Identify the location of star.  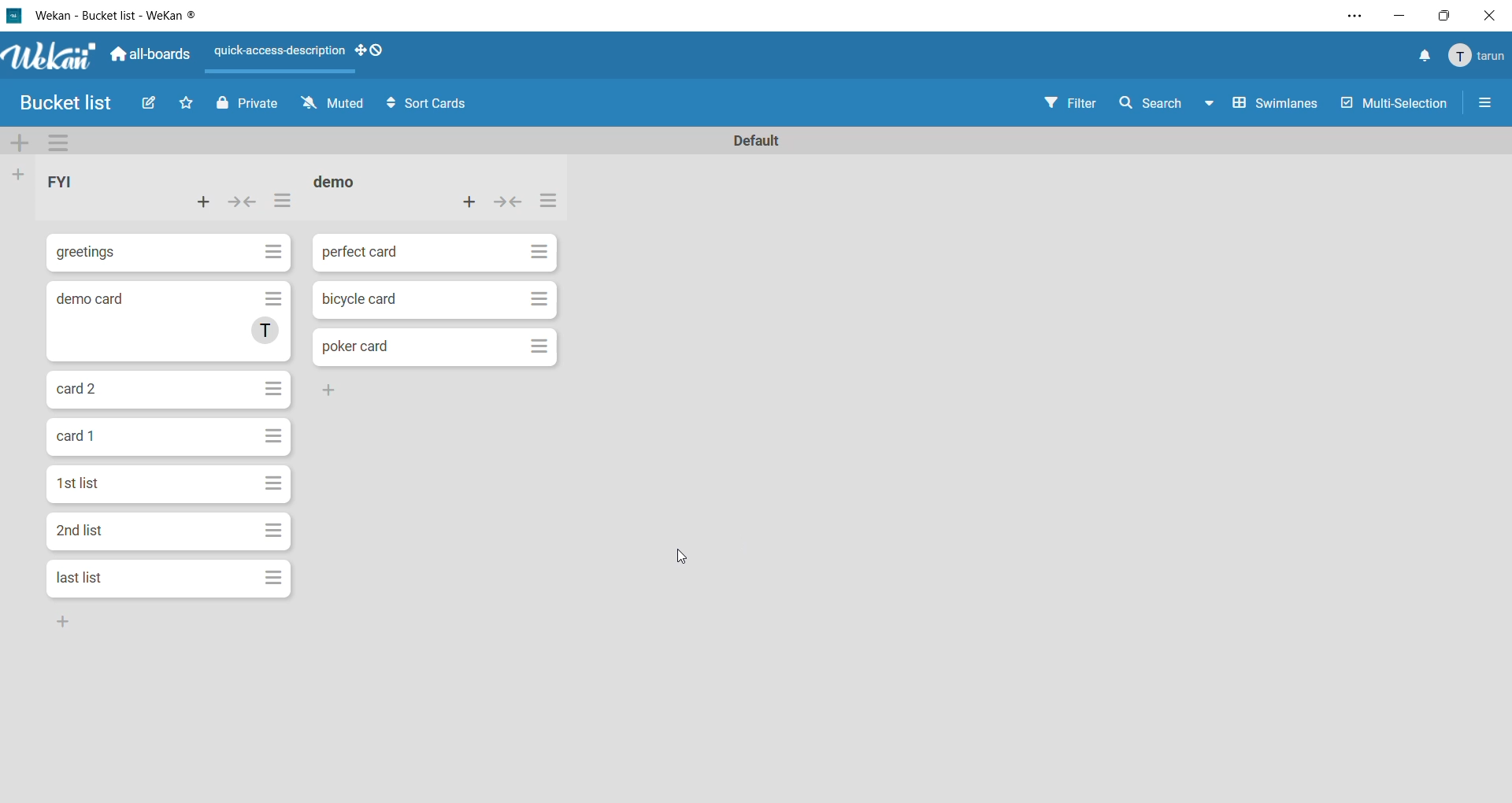
(183, 102).